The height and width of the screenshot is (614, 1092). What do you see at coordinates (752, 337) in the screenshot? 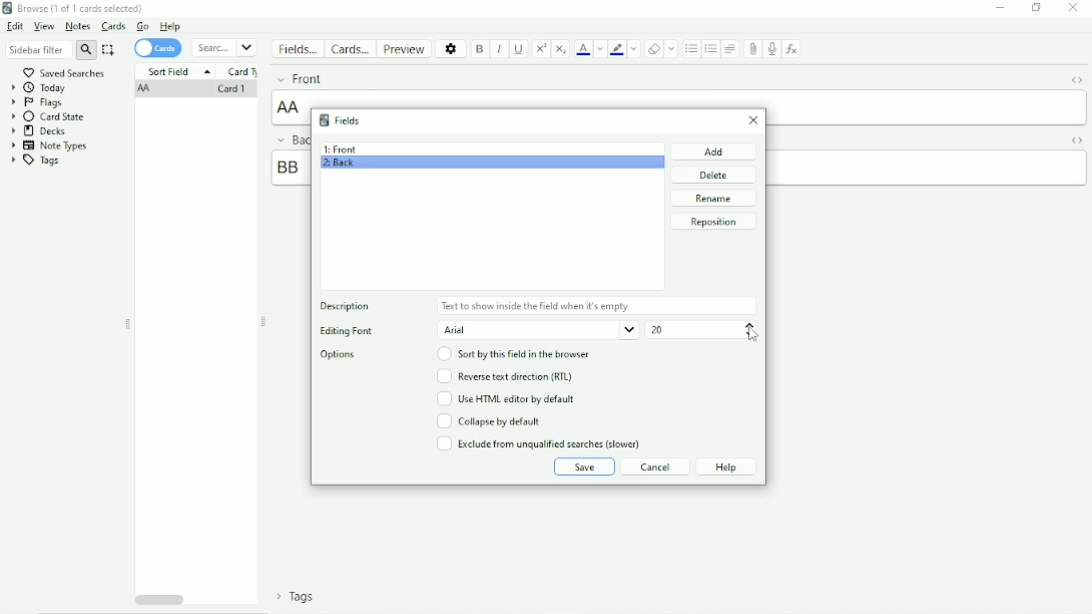
I see `cursor` at bounding box center [752, 337].